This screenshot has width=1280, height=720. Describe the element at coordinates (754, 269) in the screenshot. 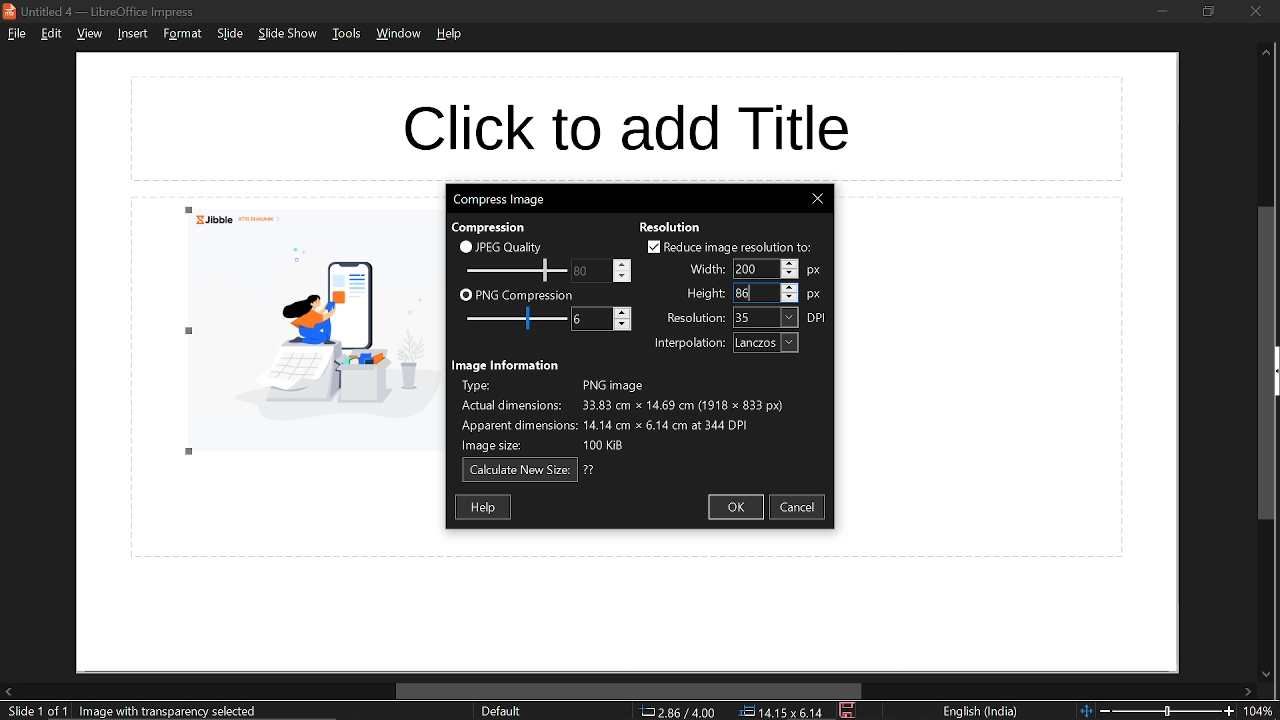

I see ` width` at that location.